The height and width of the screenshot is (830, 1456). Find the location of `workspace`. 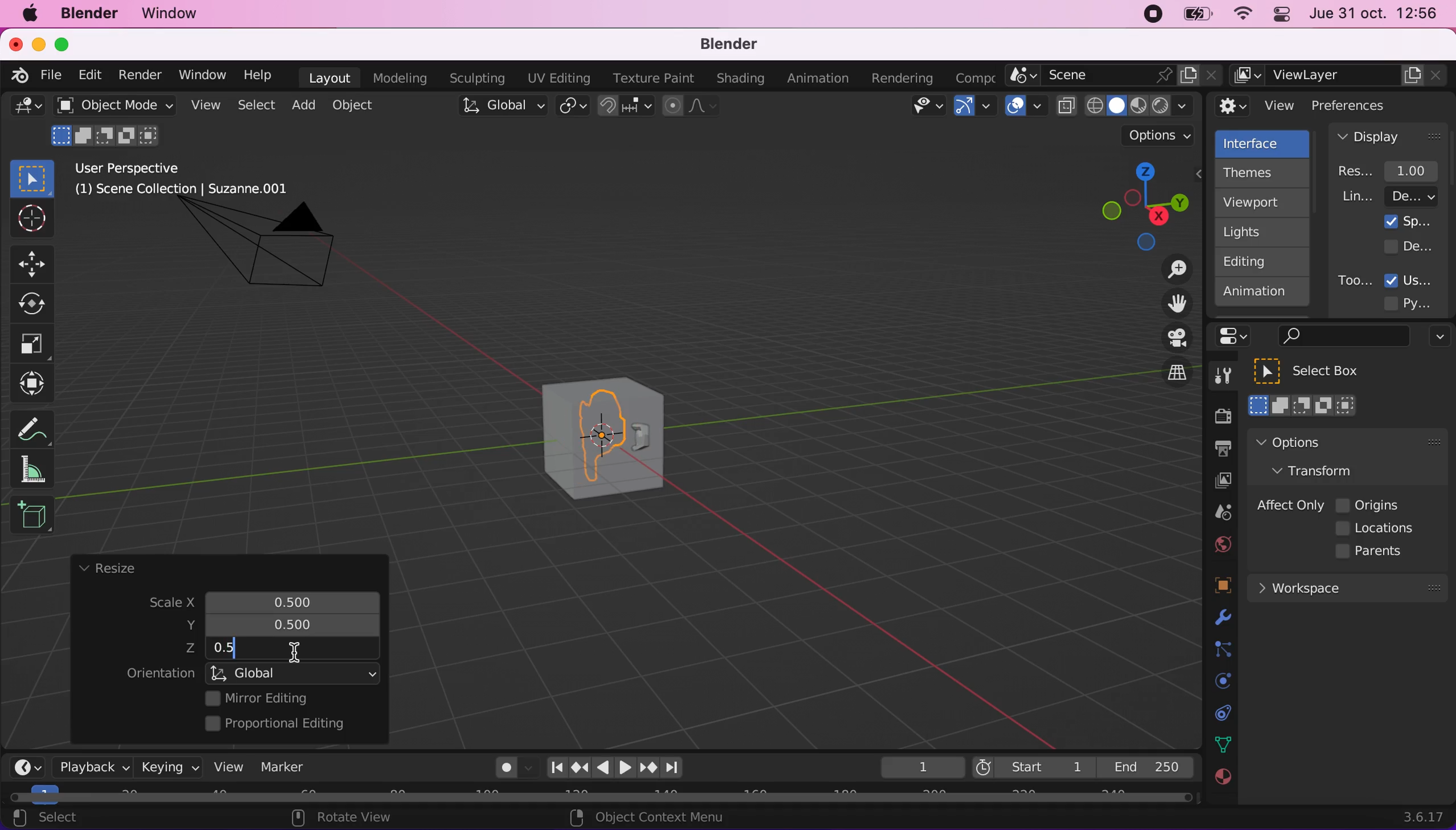

workspace is located at coordinates (1347, 587).